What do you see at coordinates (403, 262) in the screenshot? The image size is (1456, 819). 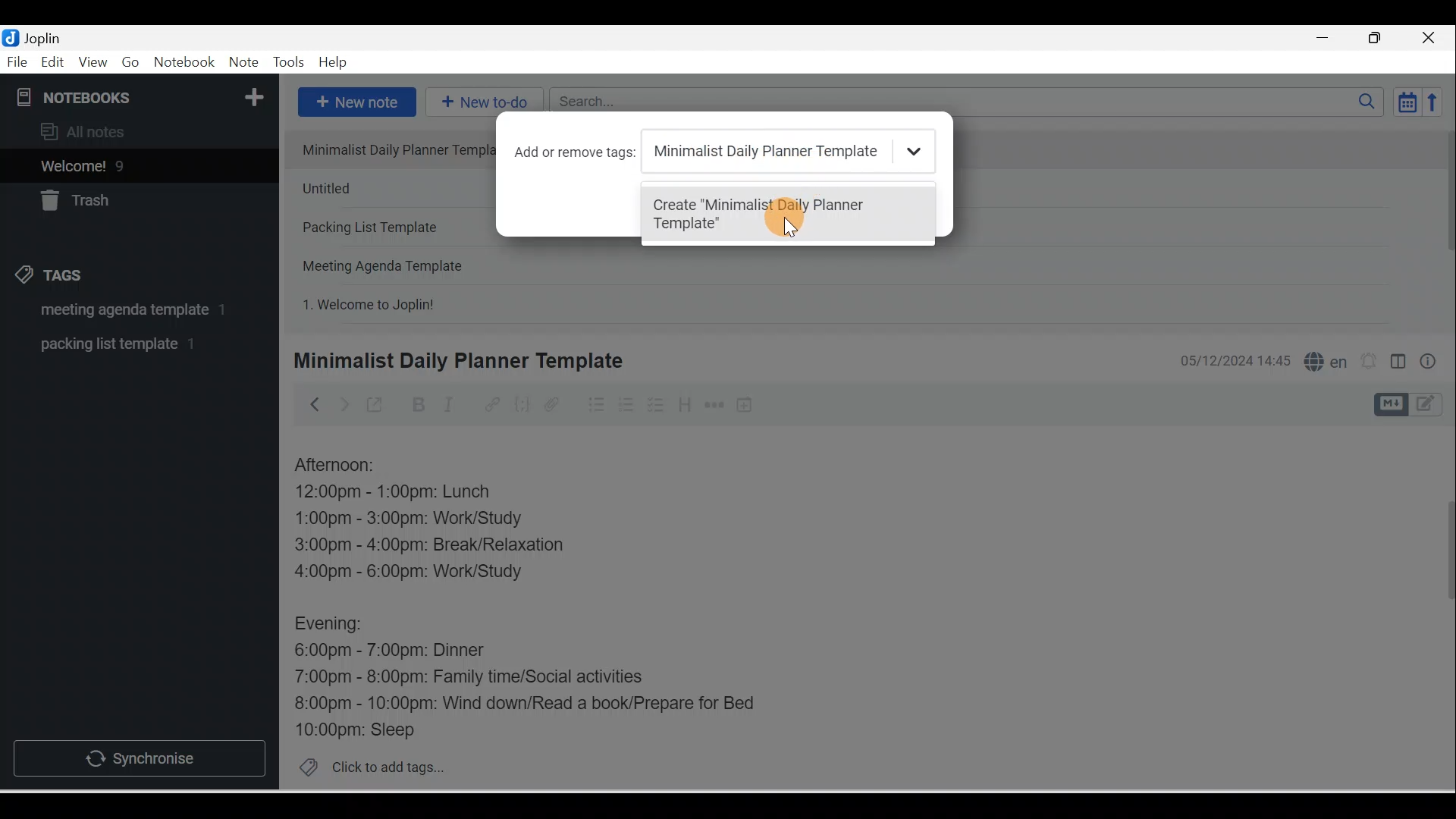 I see `Note 4` at bounding box center [403, 262].